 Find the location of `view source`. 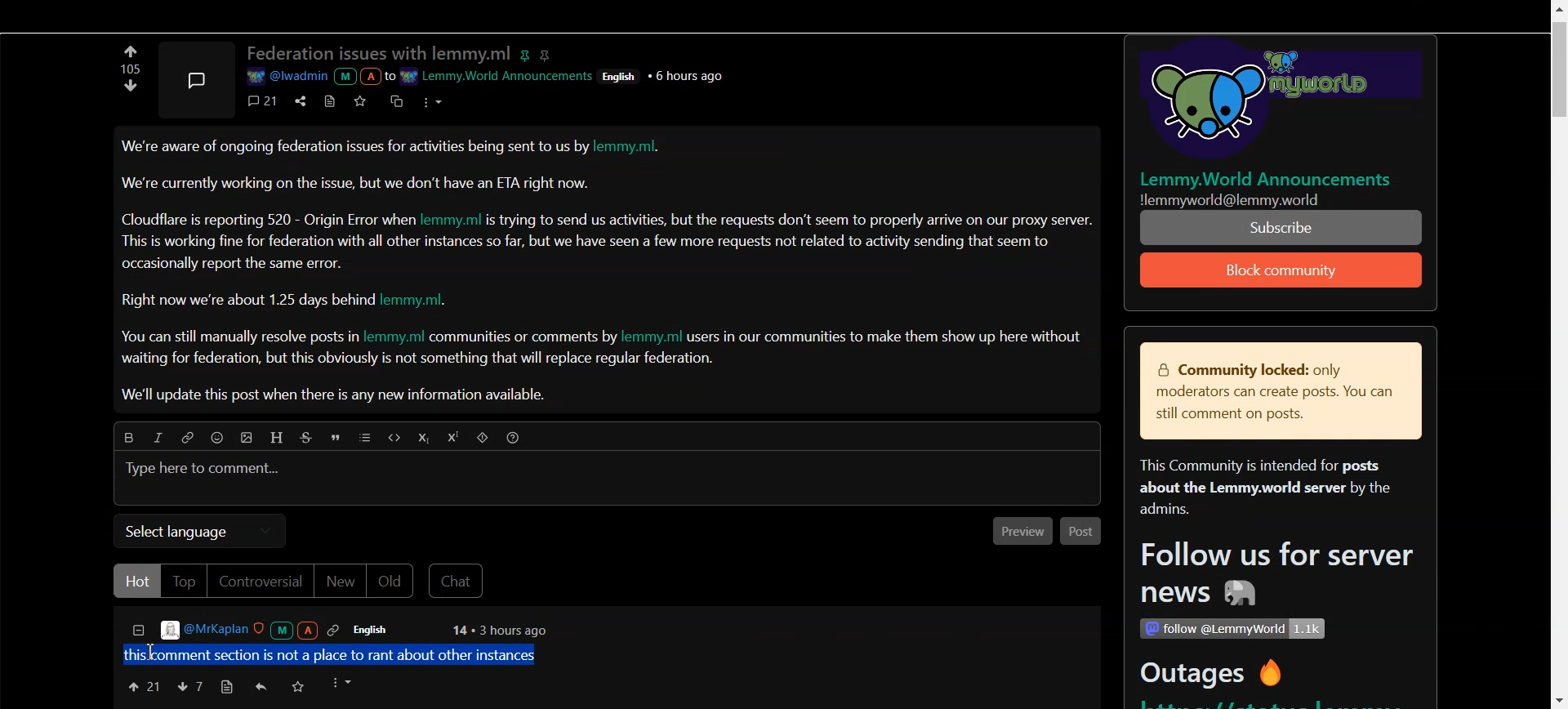

view source is located at coordinates (330, 100).